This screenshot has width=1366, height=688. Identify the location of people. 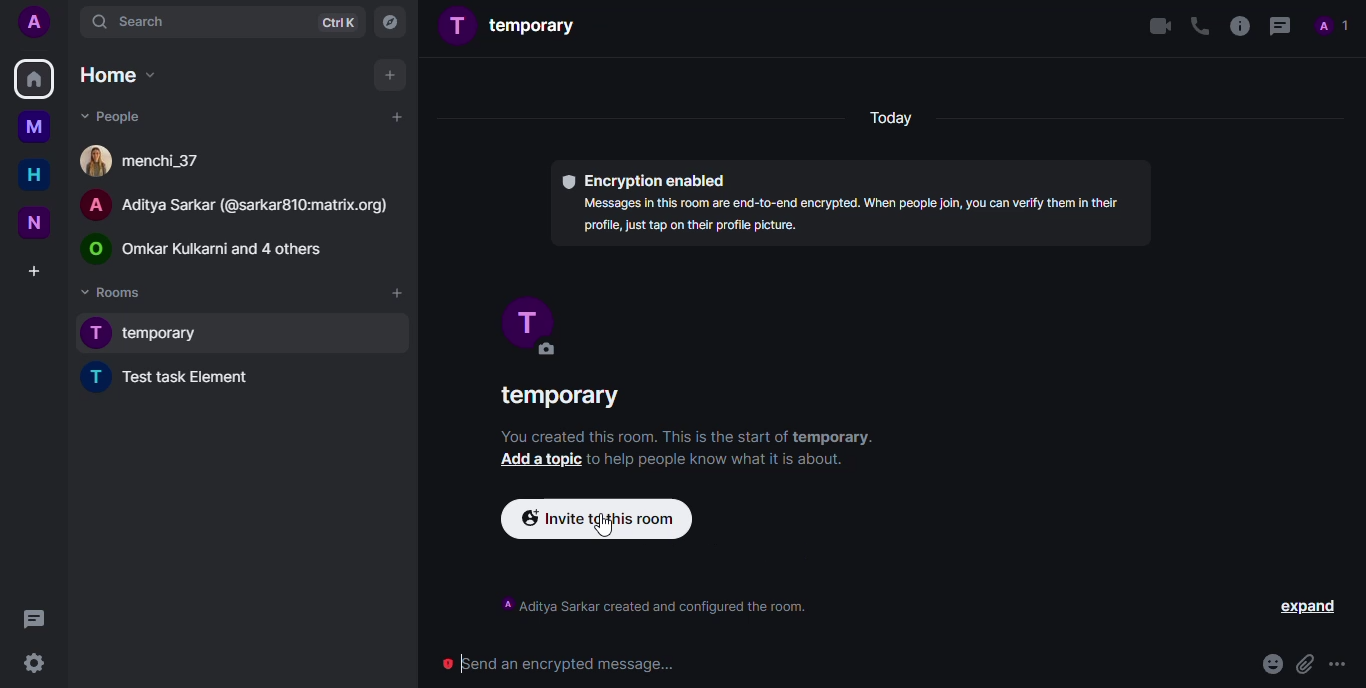
(110, 115).